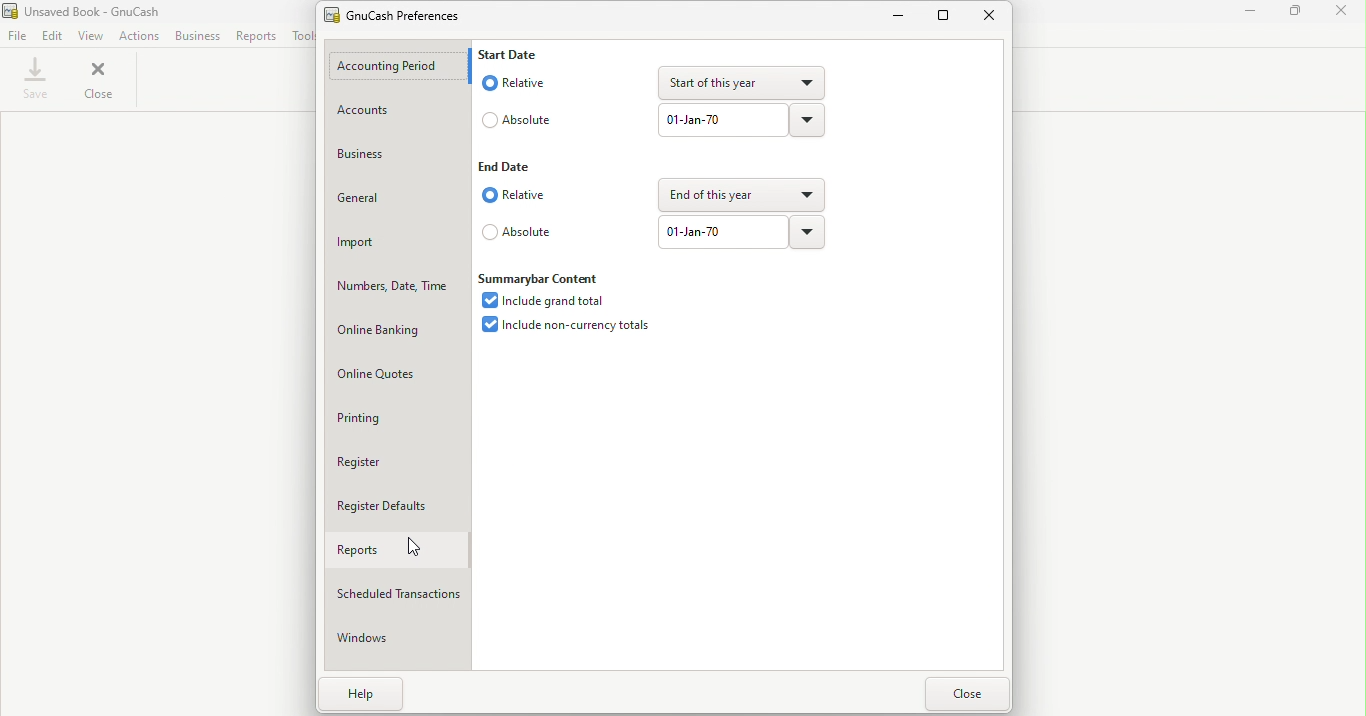 The height and width of the screenshot is (716, 1366). I want to click on Business, so click(197, 36).